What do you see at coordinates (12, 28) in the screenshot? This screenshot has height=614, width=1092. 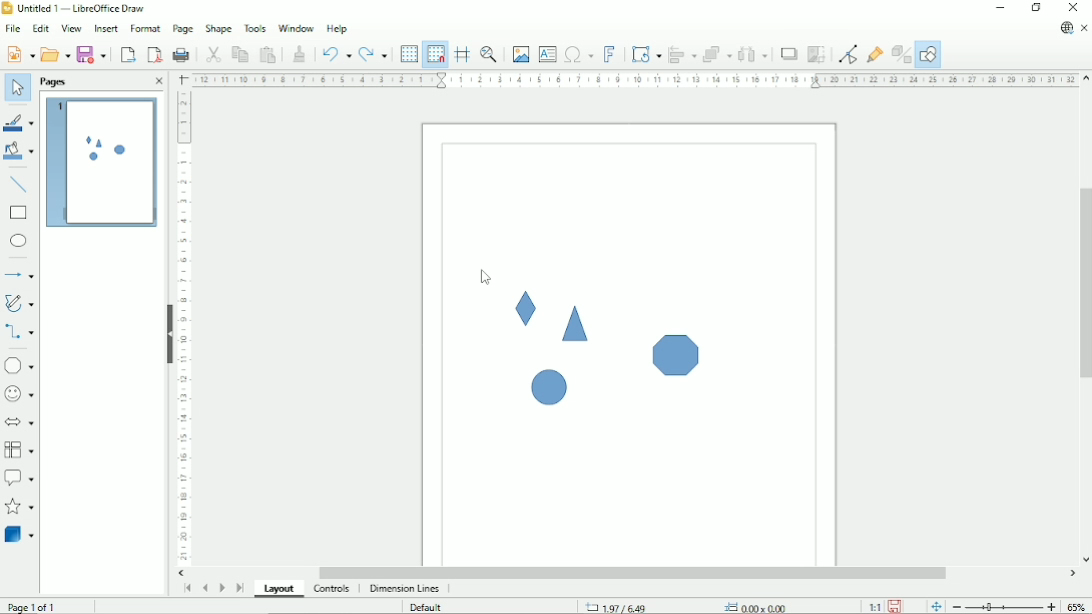 I see `File` at bounding box center [12, 28].